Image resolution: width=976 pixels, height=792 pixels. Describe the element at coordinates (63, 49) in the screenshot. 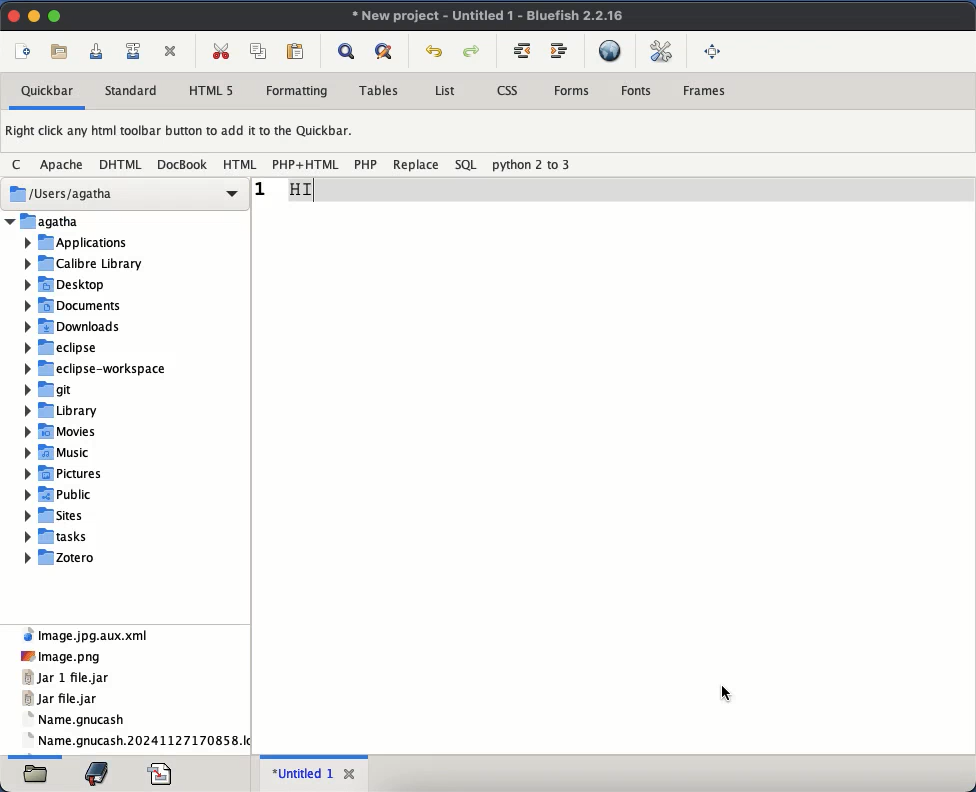

I see `open file` at that location.